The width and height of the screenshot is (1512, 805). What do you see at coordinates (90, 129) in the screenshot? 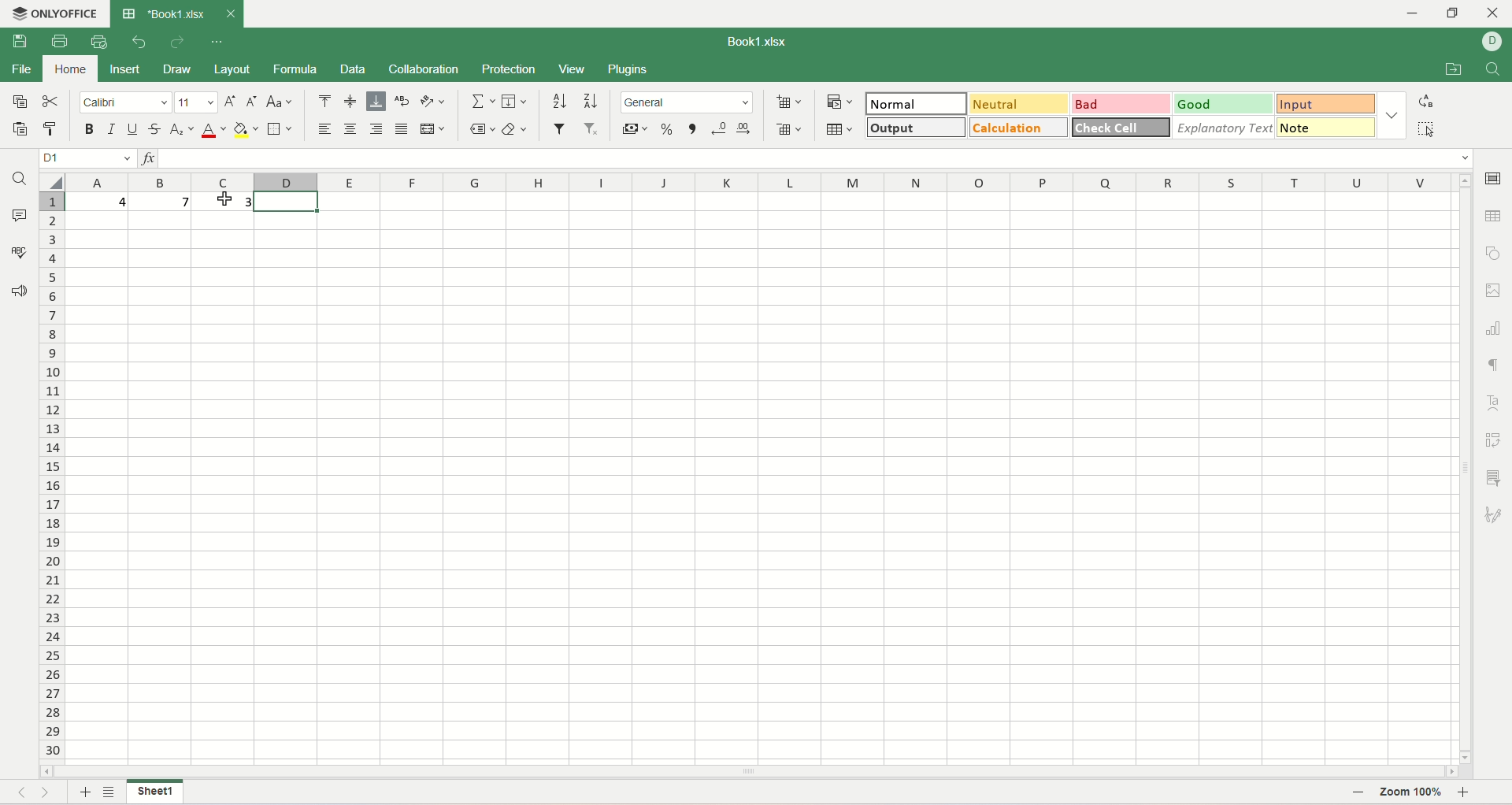
I see `bold` at bounding box center [90, 129].